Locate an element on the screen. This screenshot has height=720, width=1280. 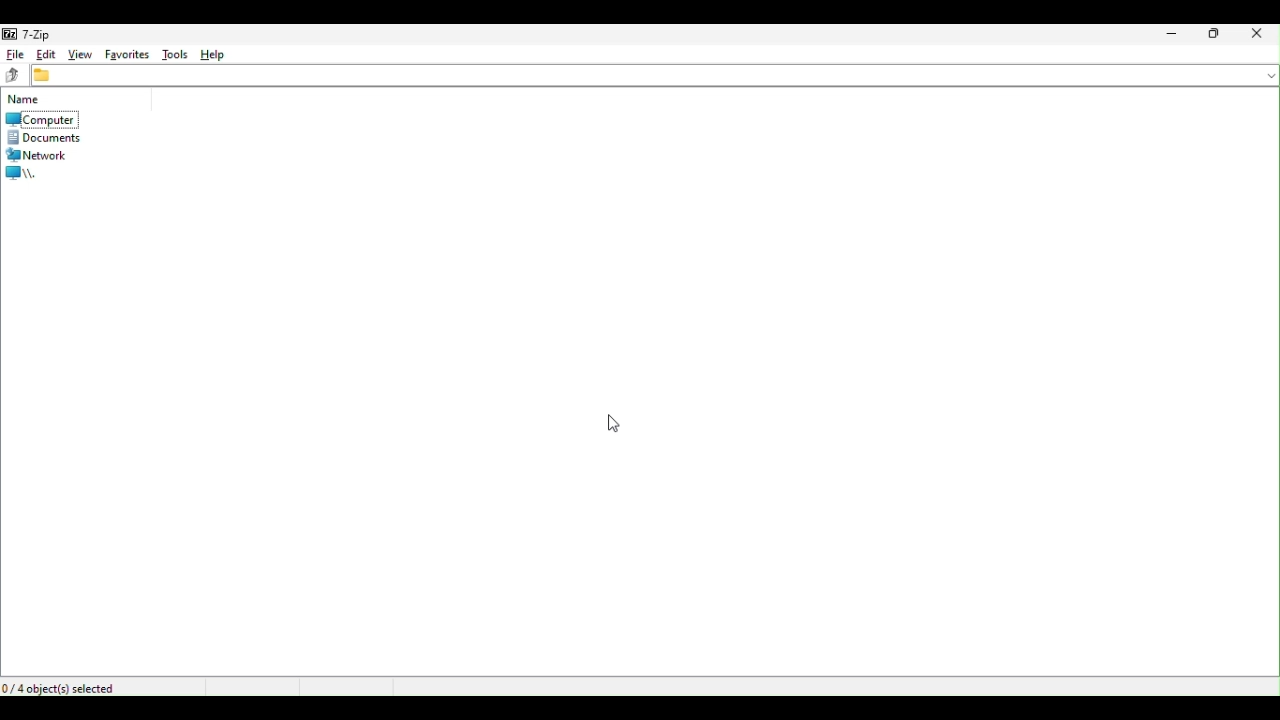
name is located at coordinates (30, 101).